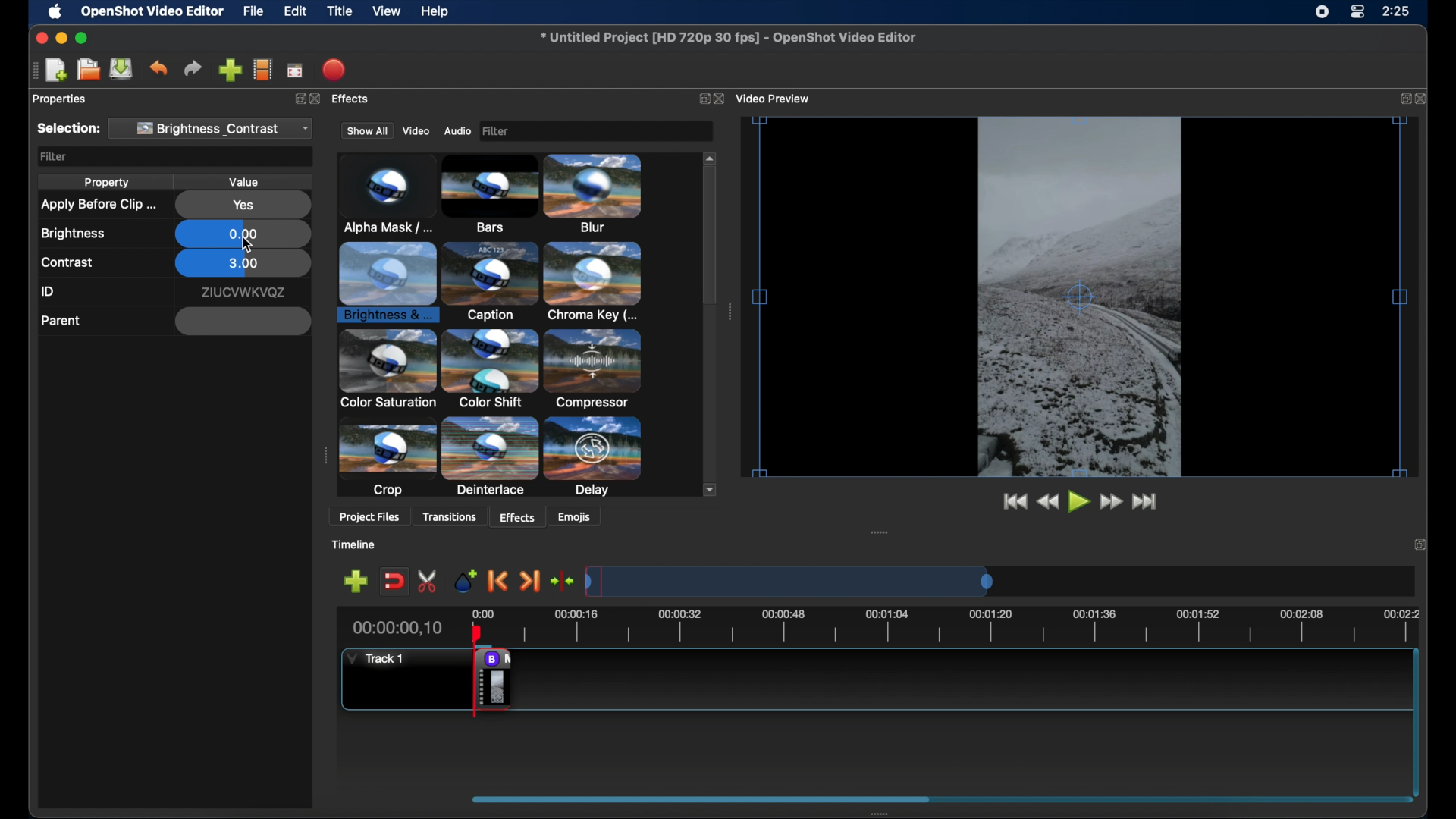 Image resolution: width=1456 pixels, height=819 pixels. I want to click on video, so click(416, 130).